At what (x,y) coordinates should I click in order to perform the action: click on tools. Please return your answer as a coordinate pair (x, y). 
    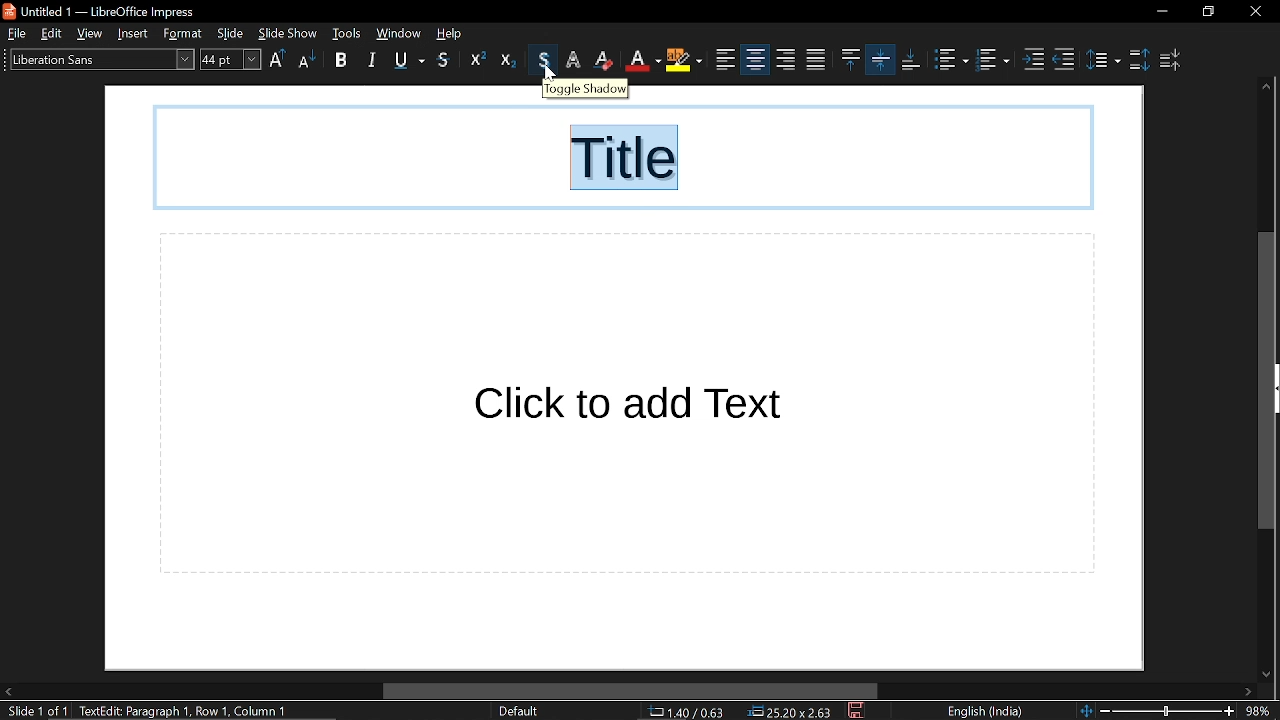
    Looking at the image, I should click on (347, 33).